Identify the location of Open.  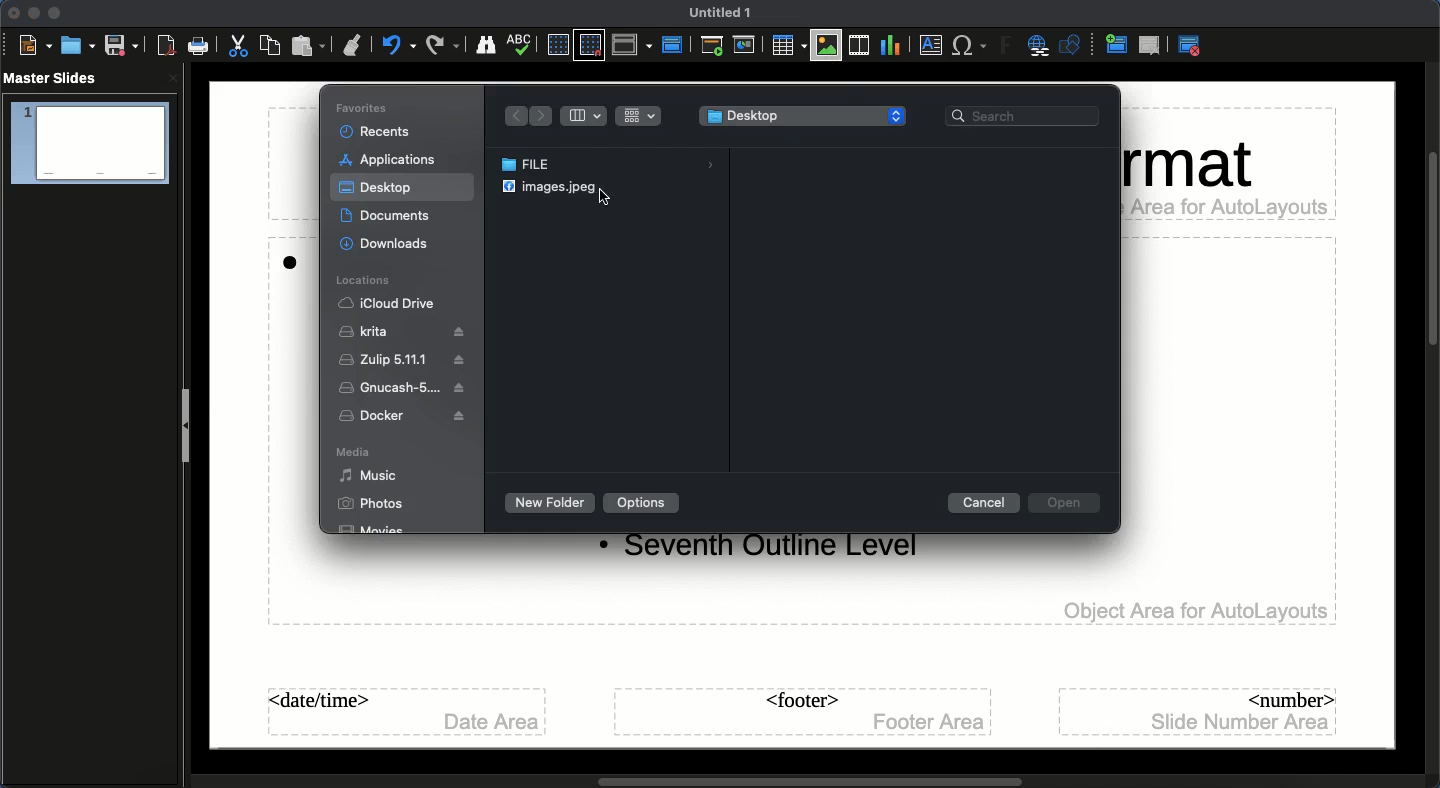
(1069, 505).